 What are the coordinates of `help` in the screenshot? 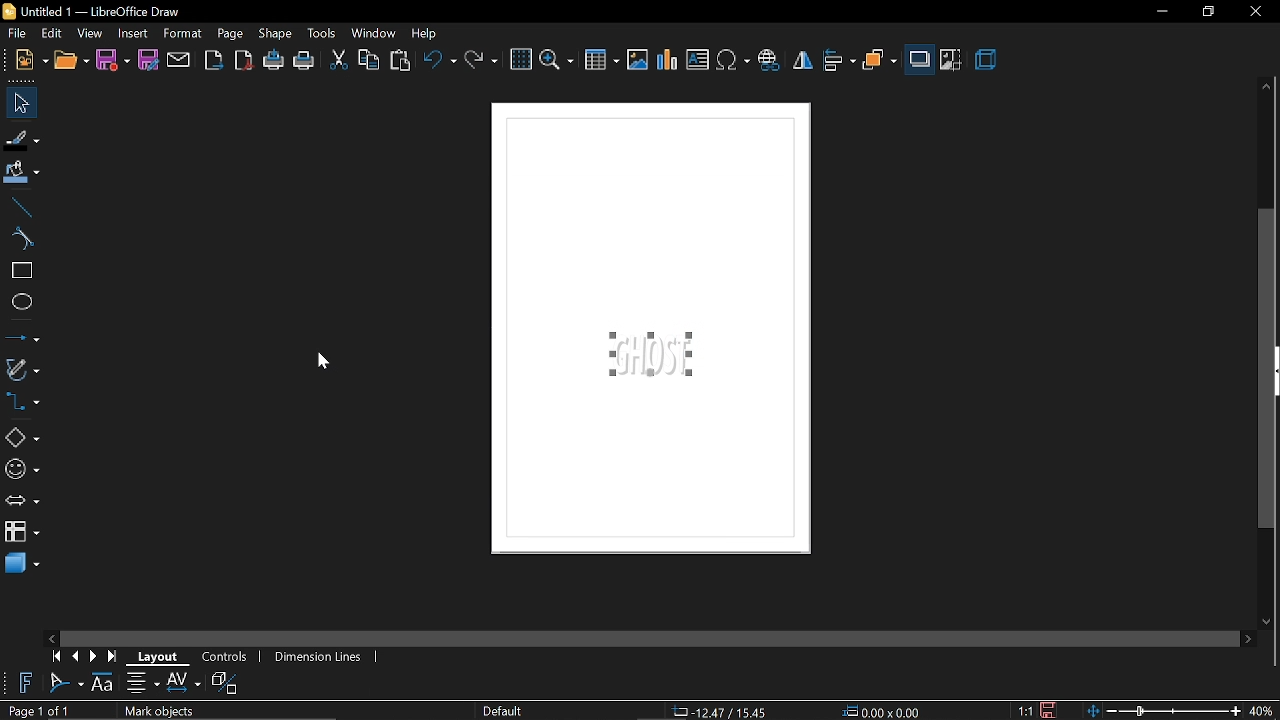 It's located at (427, 35).